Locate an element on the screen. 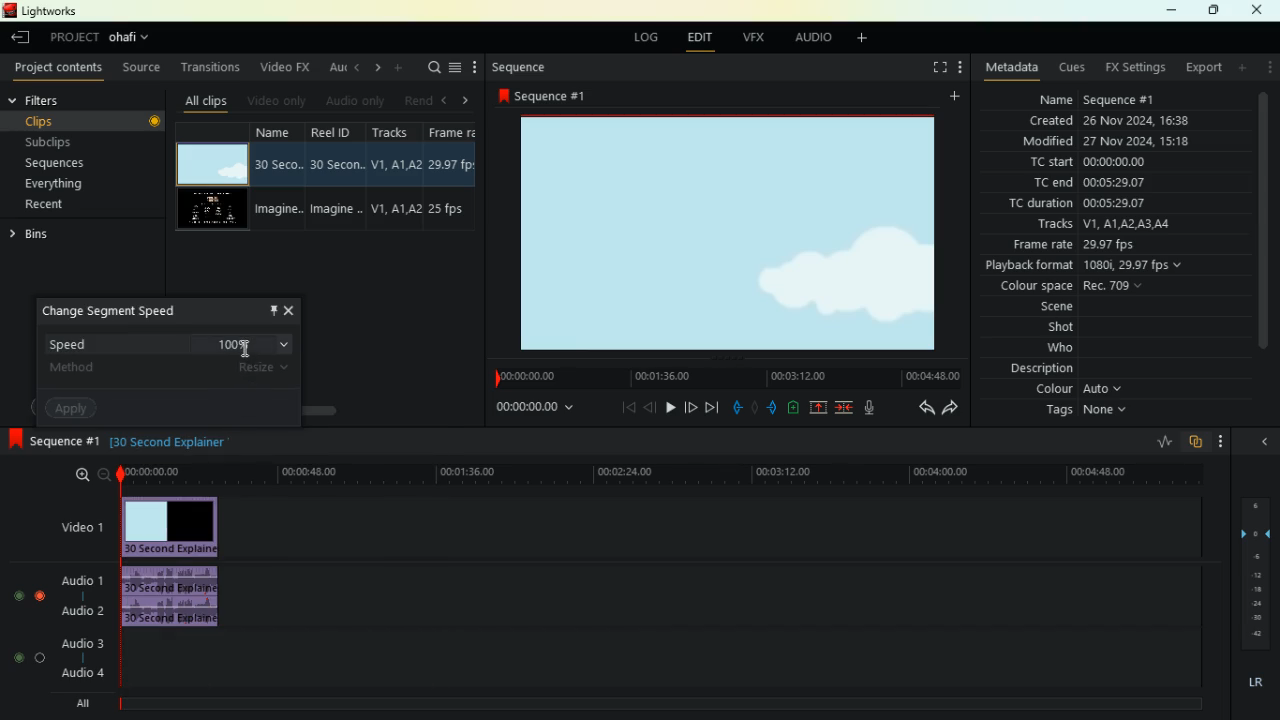  frame rate is located at coordinates (1075, 246).